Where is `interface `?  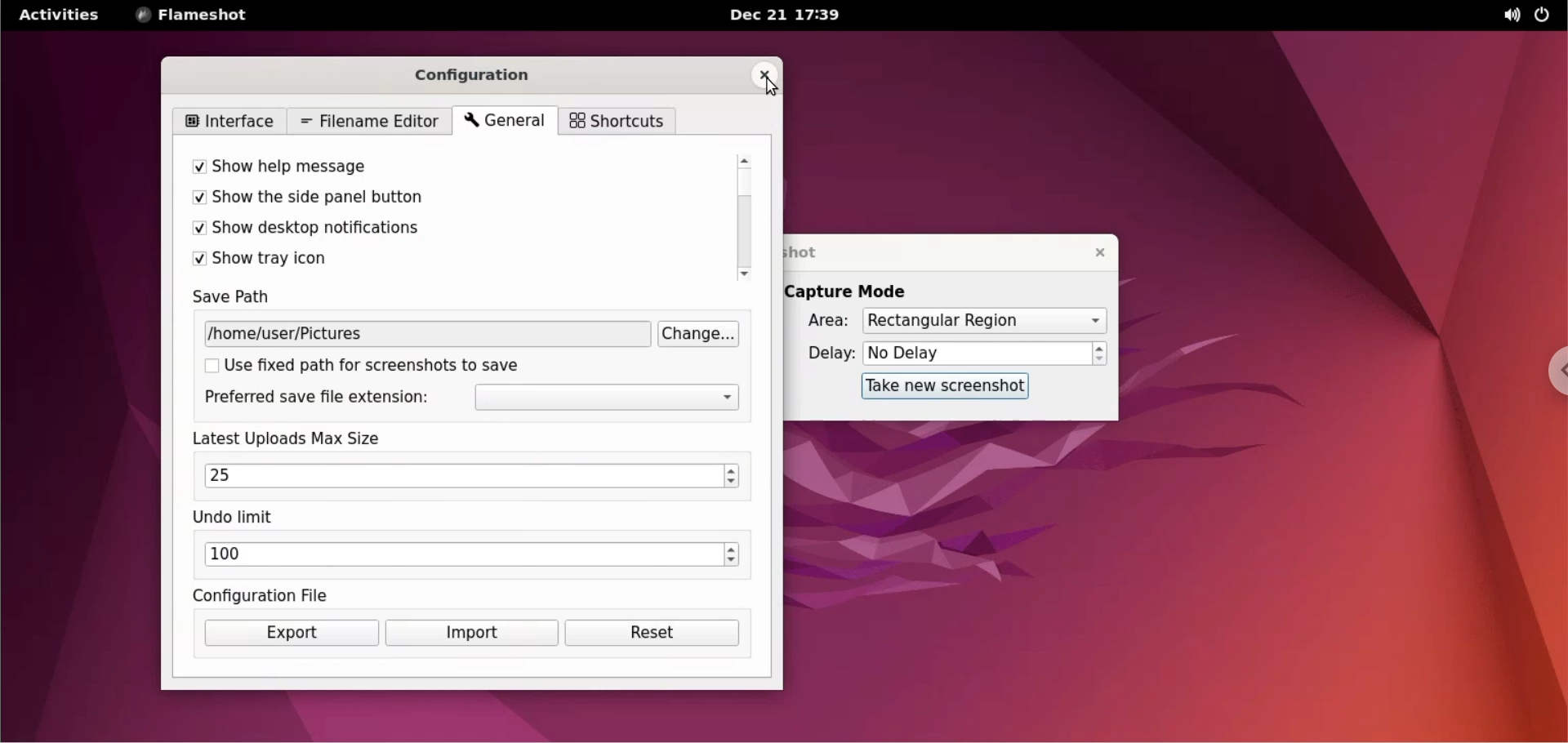
interface  is located at coordinates (234, 121).